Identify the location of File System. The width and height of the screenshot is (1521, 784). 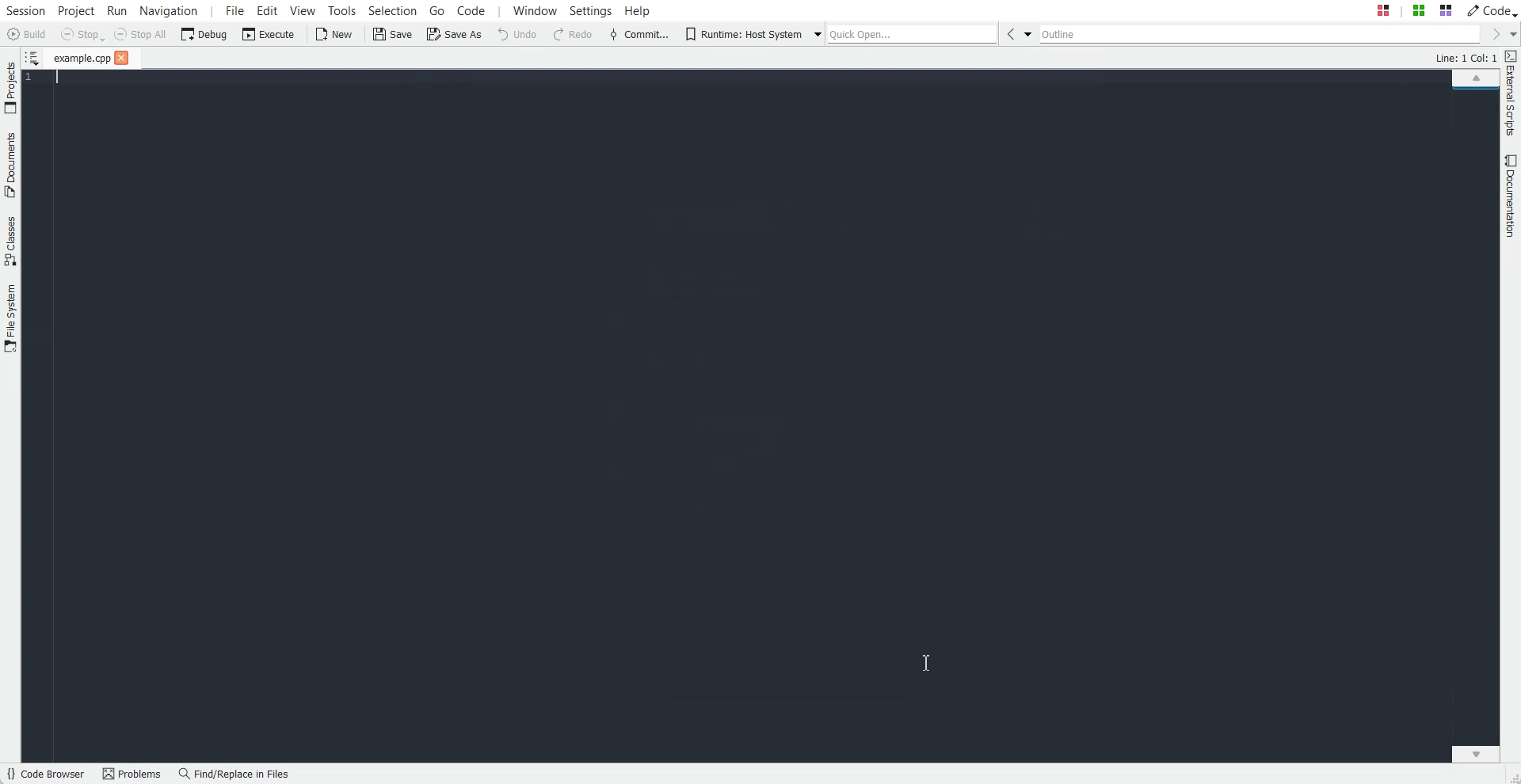
(10, 318).